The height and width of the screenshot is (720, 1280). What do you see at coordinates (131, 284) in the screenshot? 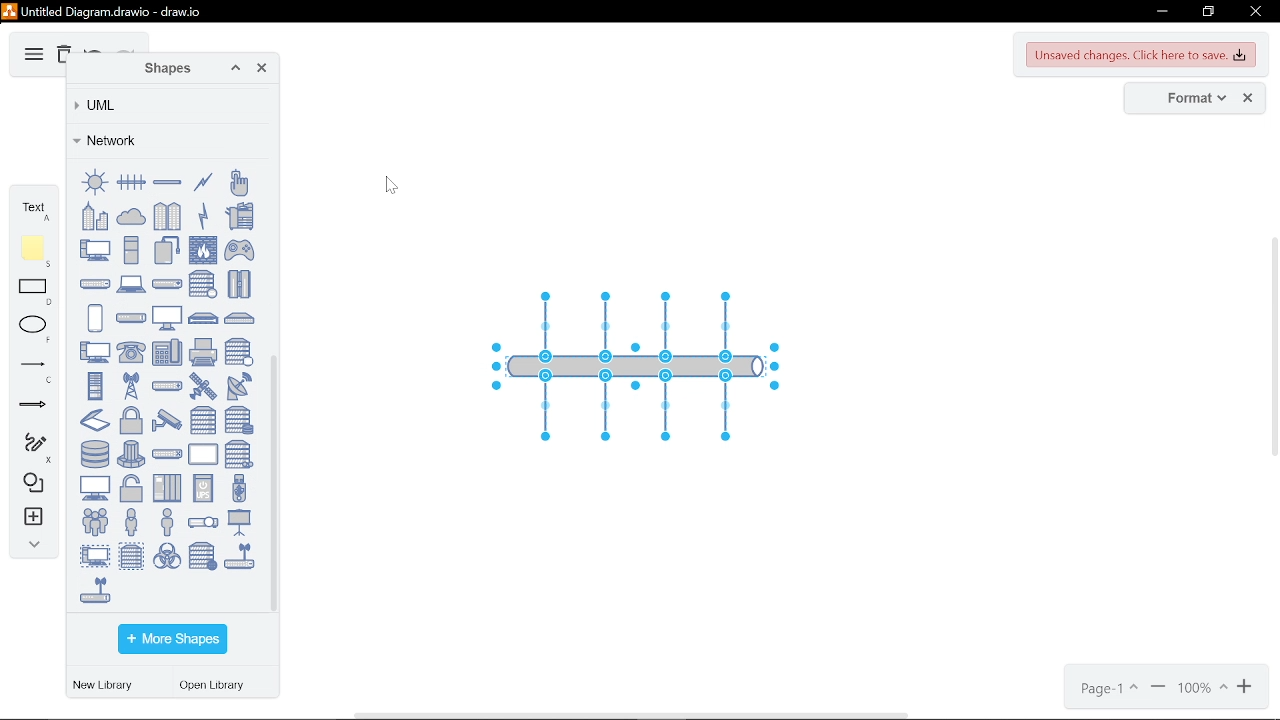
I see `laptop` at bounding box center [131, 284].